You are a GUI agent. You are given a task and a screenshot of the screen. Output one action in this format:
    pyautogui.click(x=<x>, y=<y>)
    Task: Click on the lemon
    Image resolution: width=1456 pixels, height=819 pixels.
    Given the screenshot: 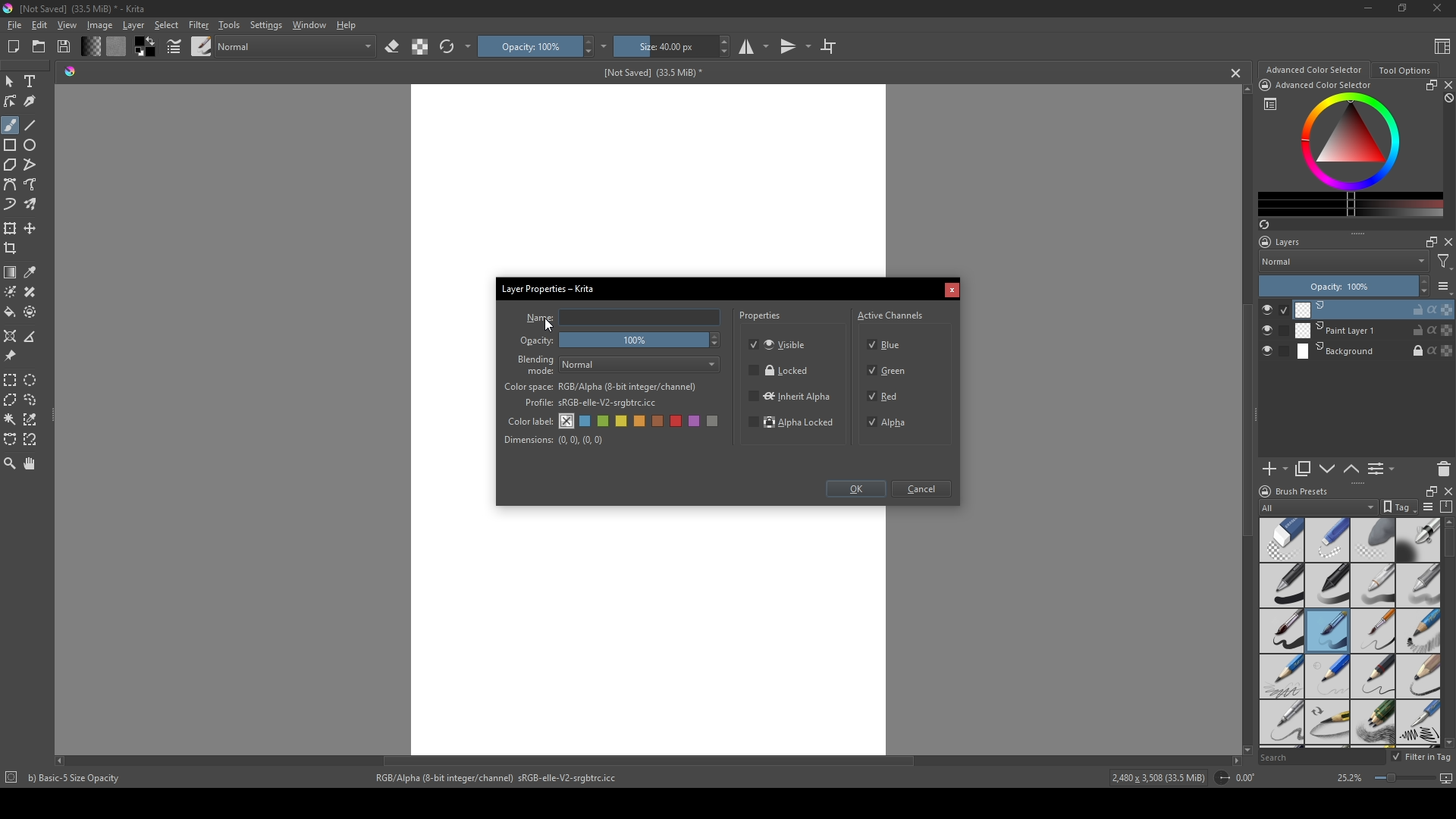 What is the action you would take?
    pyautogui.click(x=623, y=421)
    